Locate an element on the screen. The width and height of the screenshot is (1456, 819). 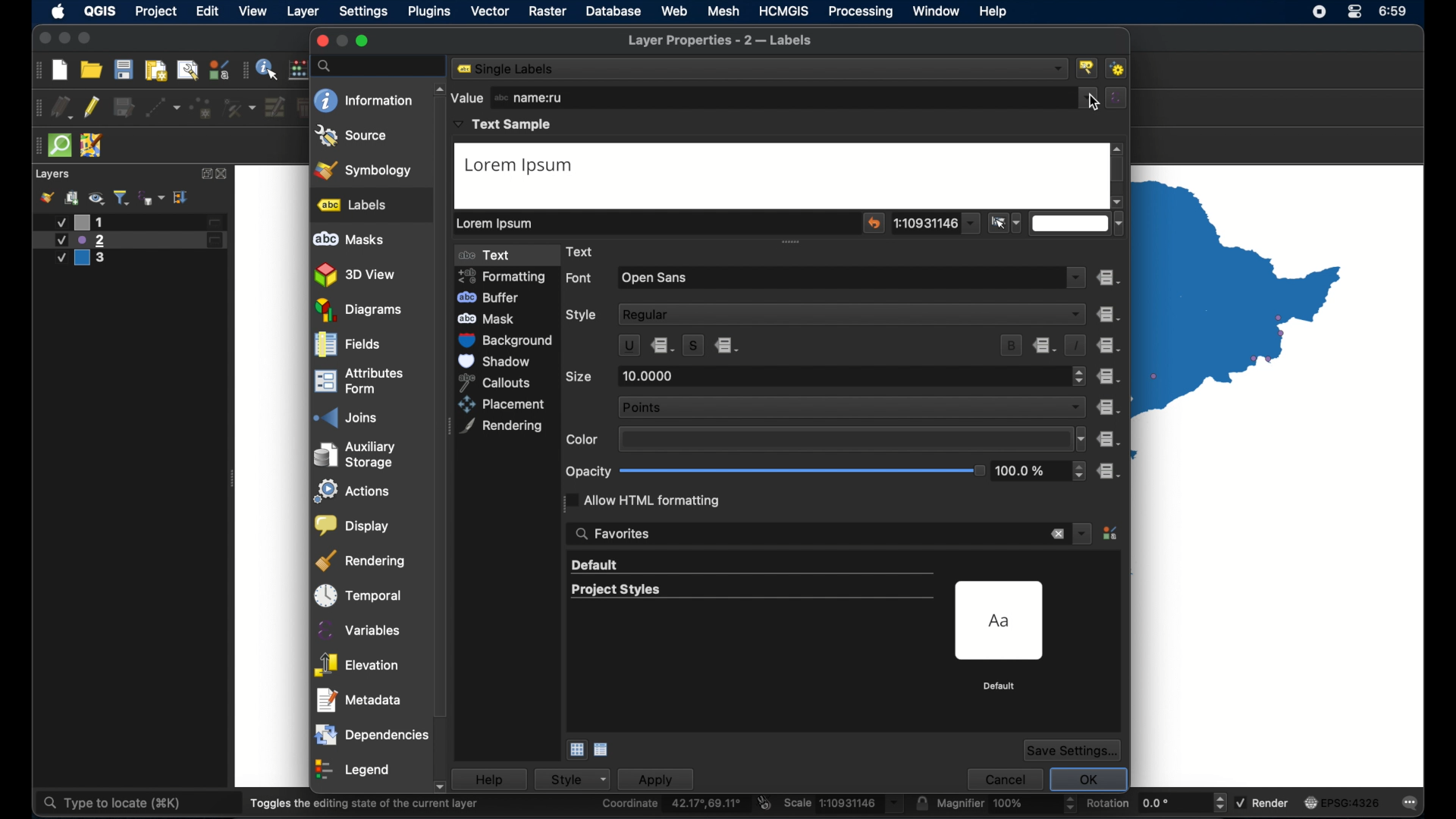
expression builder is located at coordinates (1117, 97).